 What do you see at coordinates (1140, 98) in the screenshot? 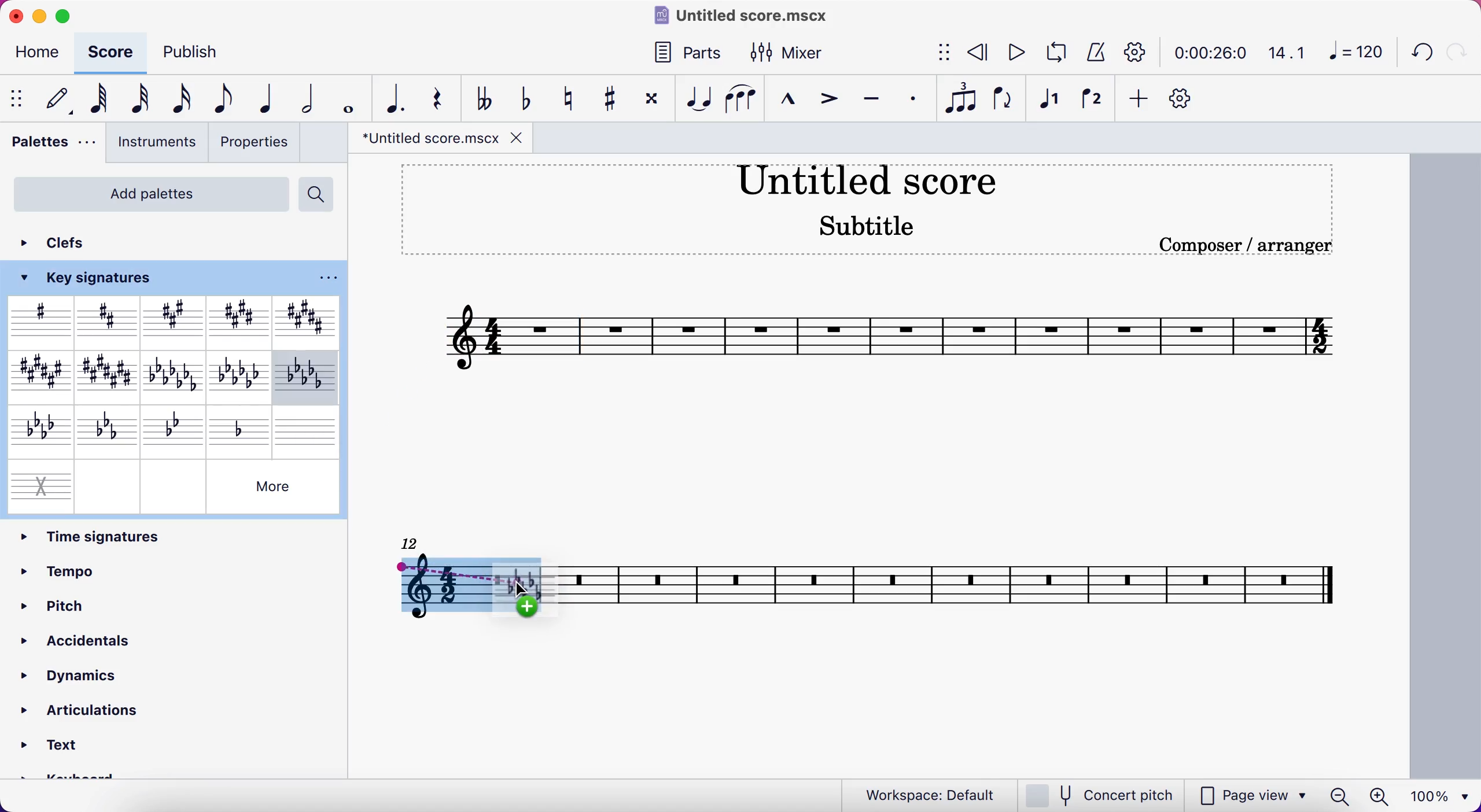
I see `add` at bounding box center [1140, 98].